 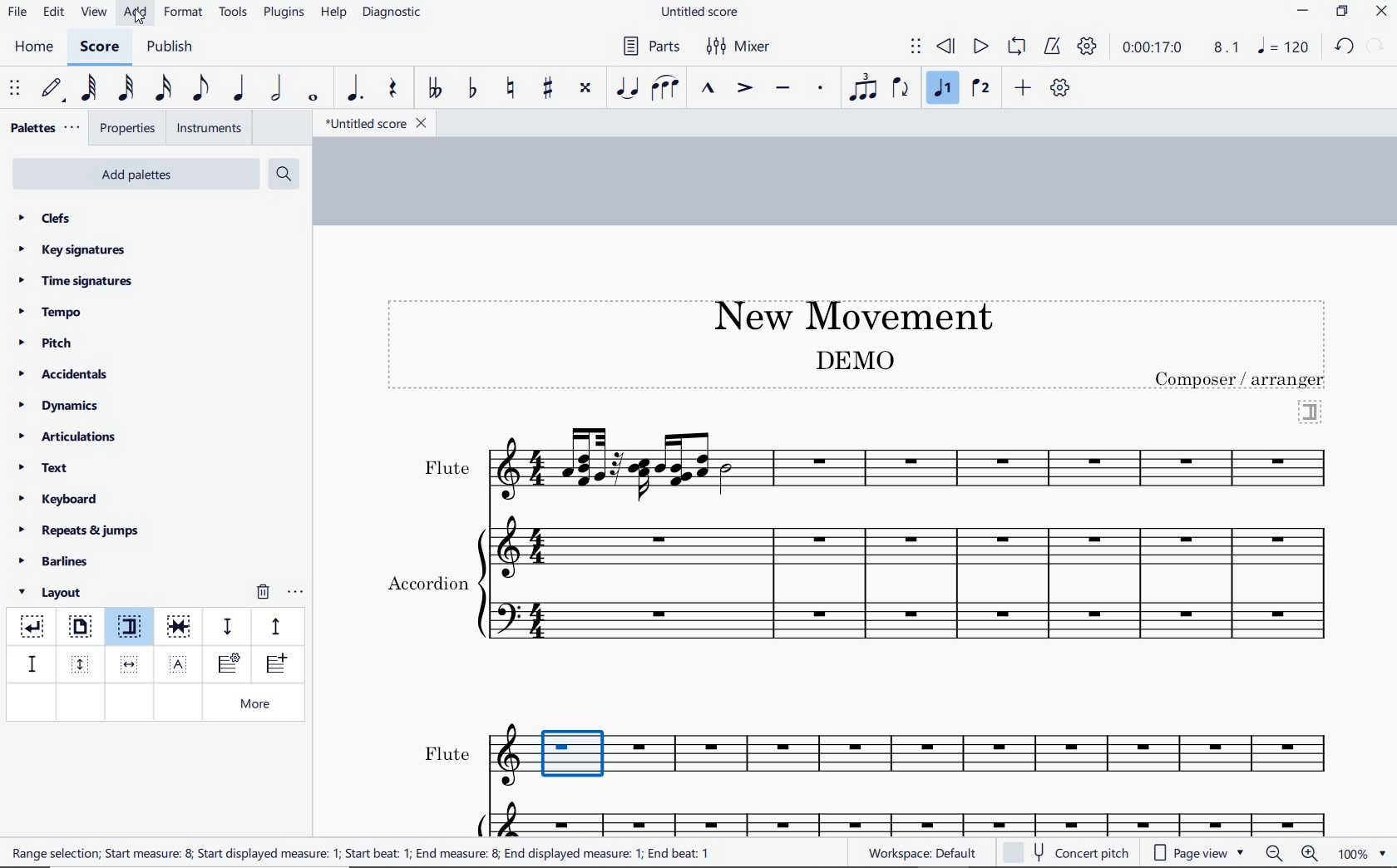 I want to click on score, so click(x=100, y=49).